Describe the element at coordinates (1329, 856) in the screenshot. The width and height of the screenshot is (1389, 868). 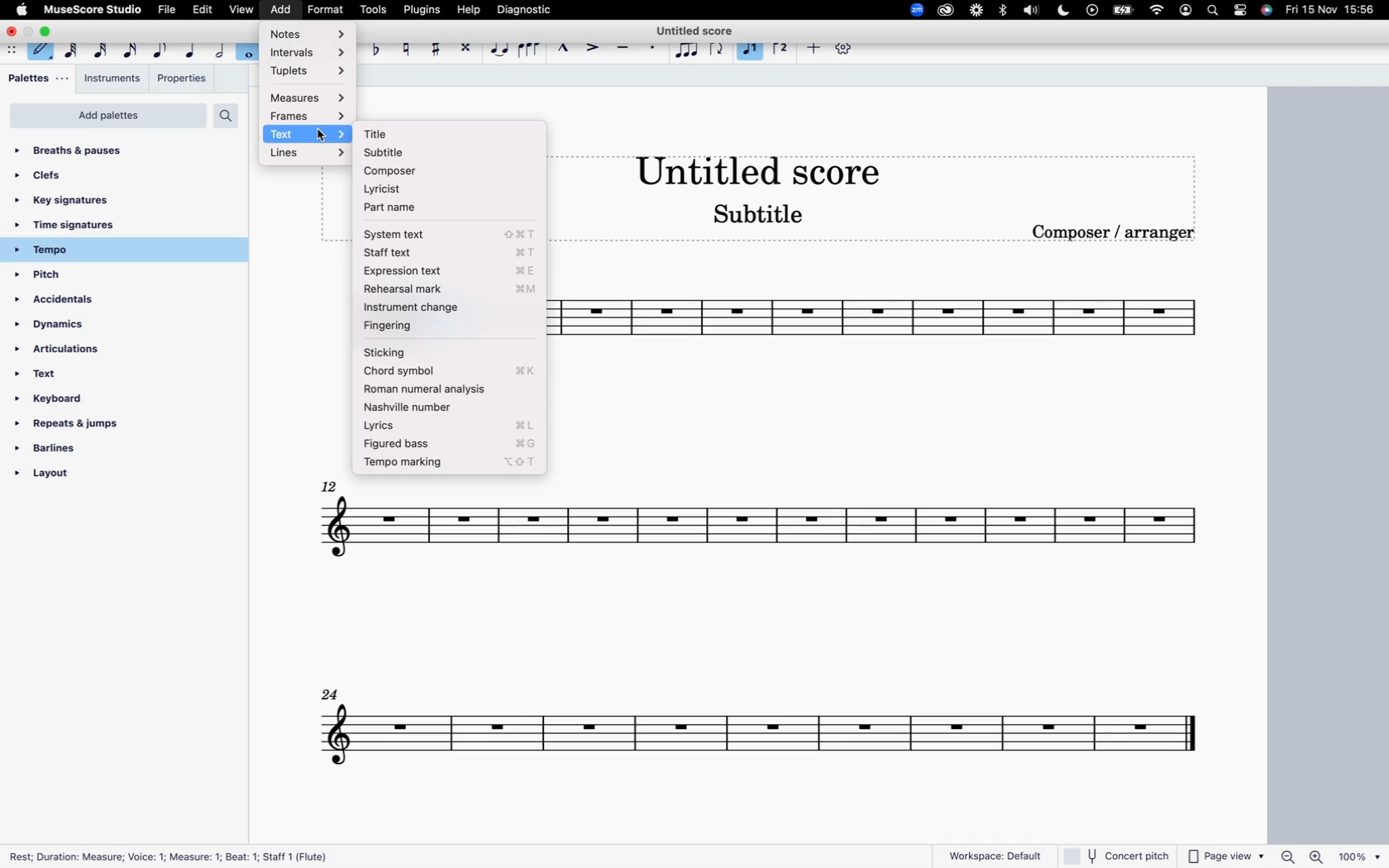
I see `Zoom percentage` at that location.